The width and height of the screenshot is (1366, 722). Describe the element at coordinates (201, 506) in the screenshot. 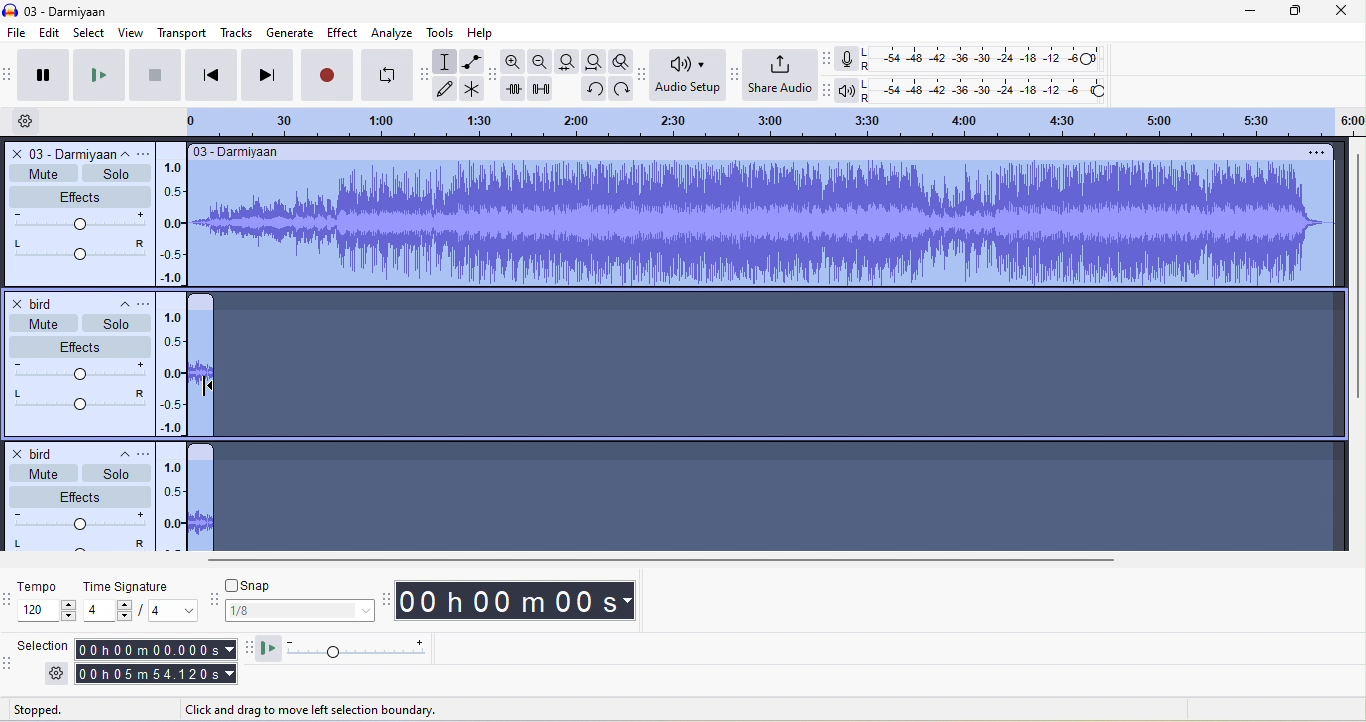

I see `record audio` at that location.